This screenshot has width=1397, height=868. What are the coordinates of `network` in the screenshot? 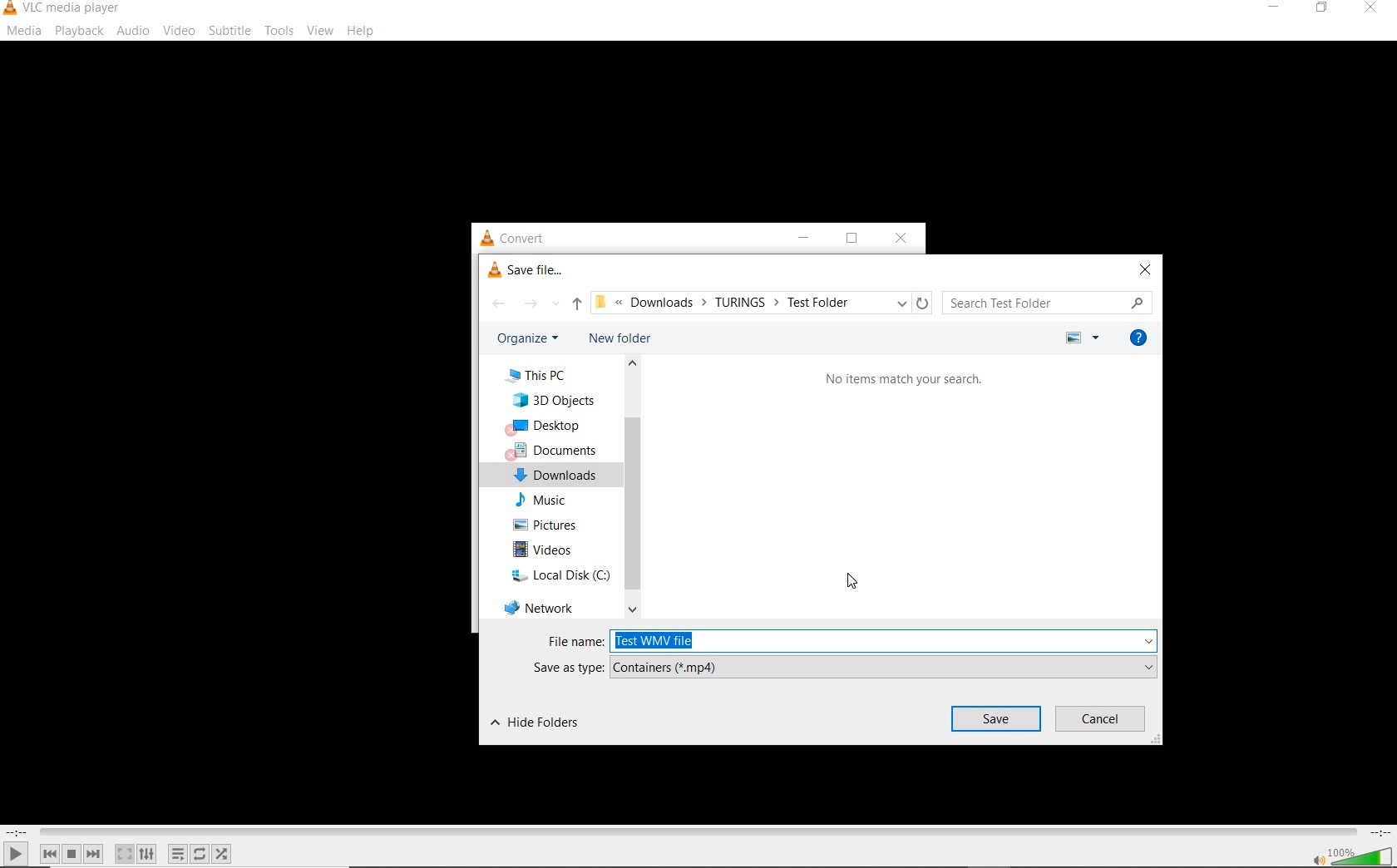 It's located at (540, 606).